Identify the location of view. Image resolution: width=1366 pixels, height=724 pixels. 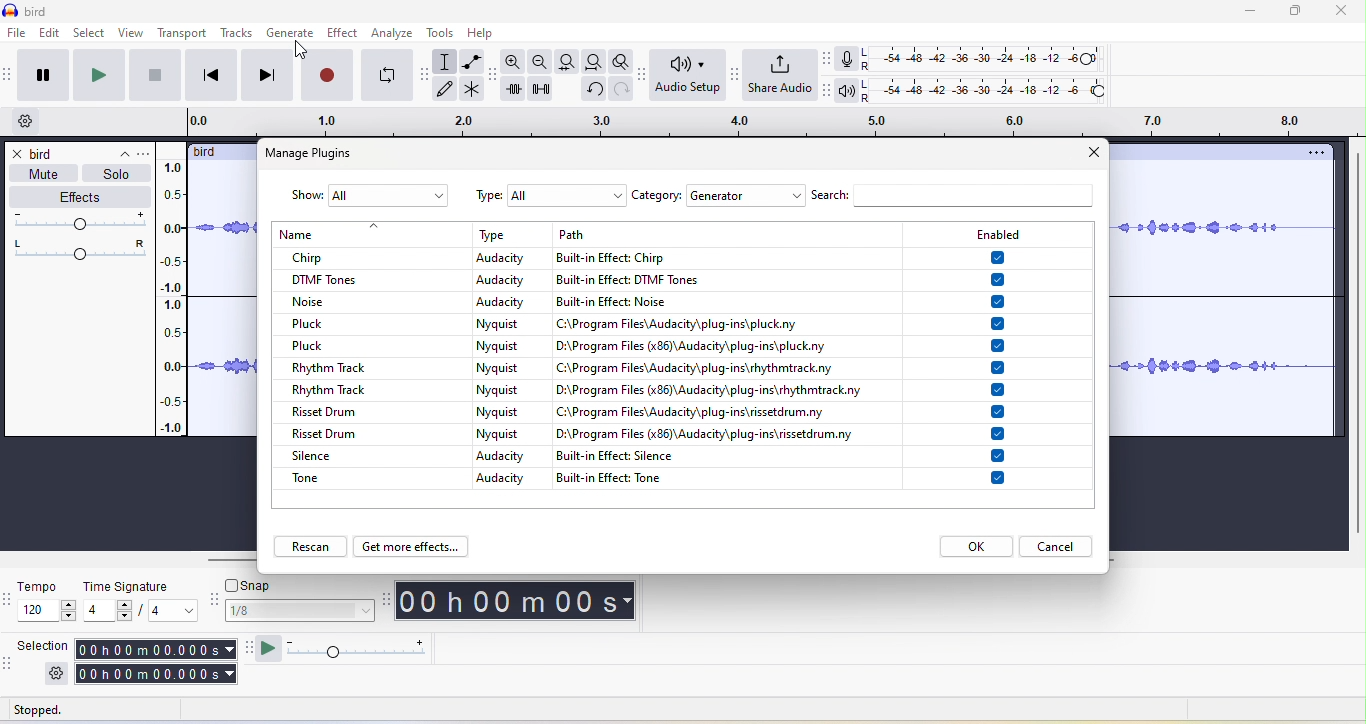
(133, 35).